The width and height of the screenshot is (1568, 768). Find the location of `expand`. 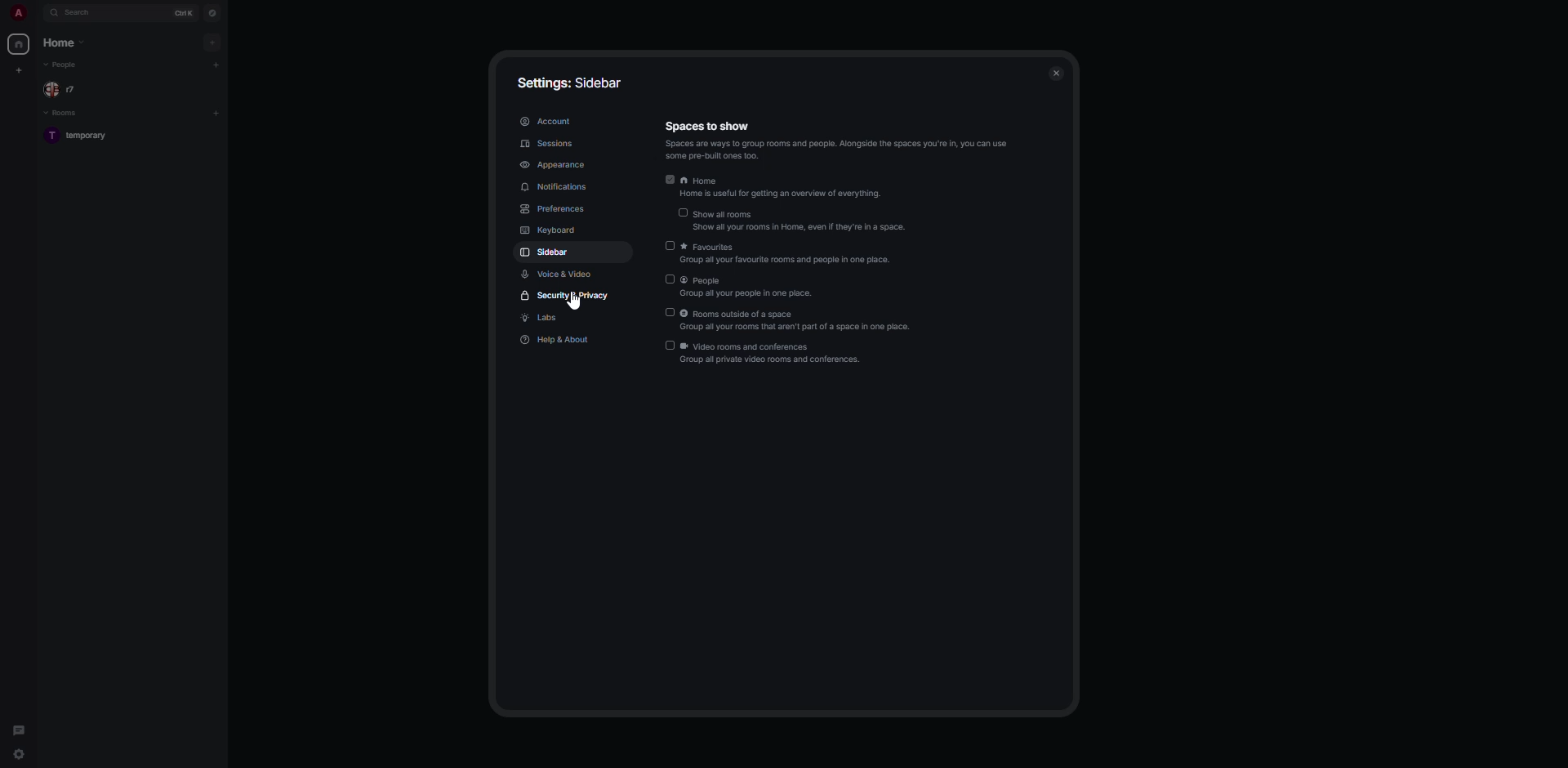

expand is located at coordinates (37, 12).